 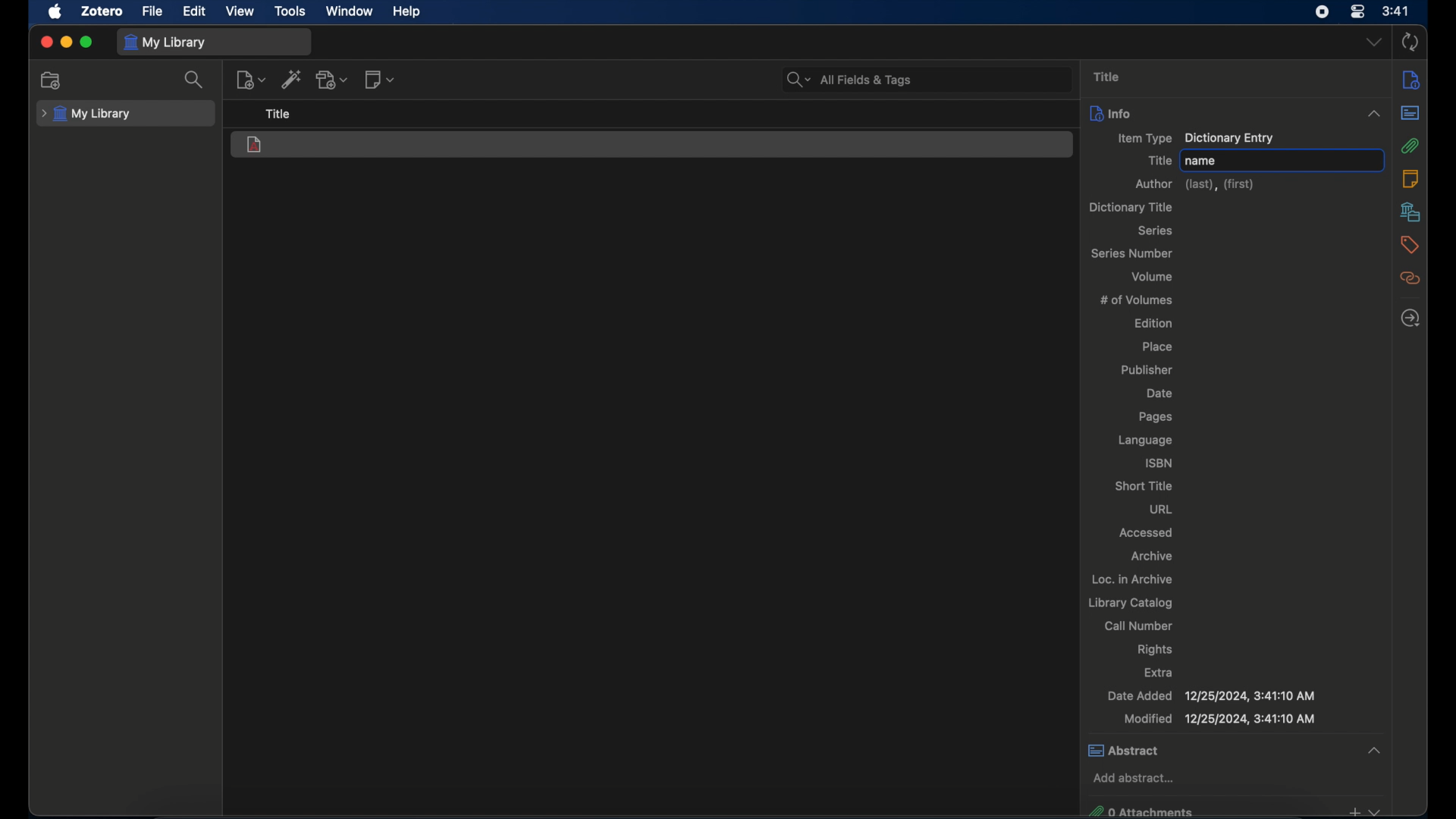 I want to click on extra, so click(x=1160, y=672).